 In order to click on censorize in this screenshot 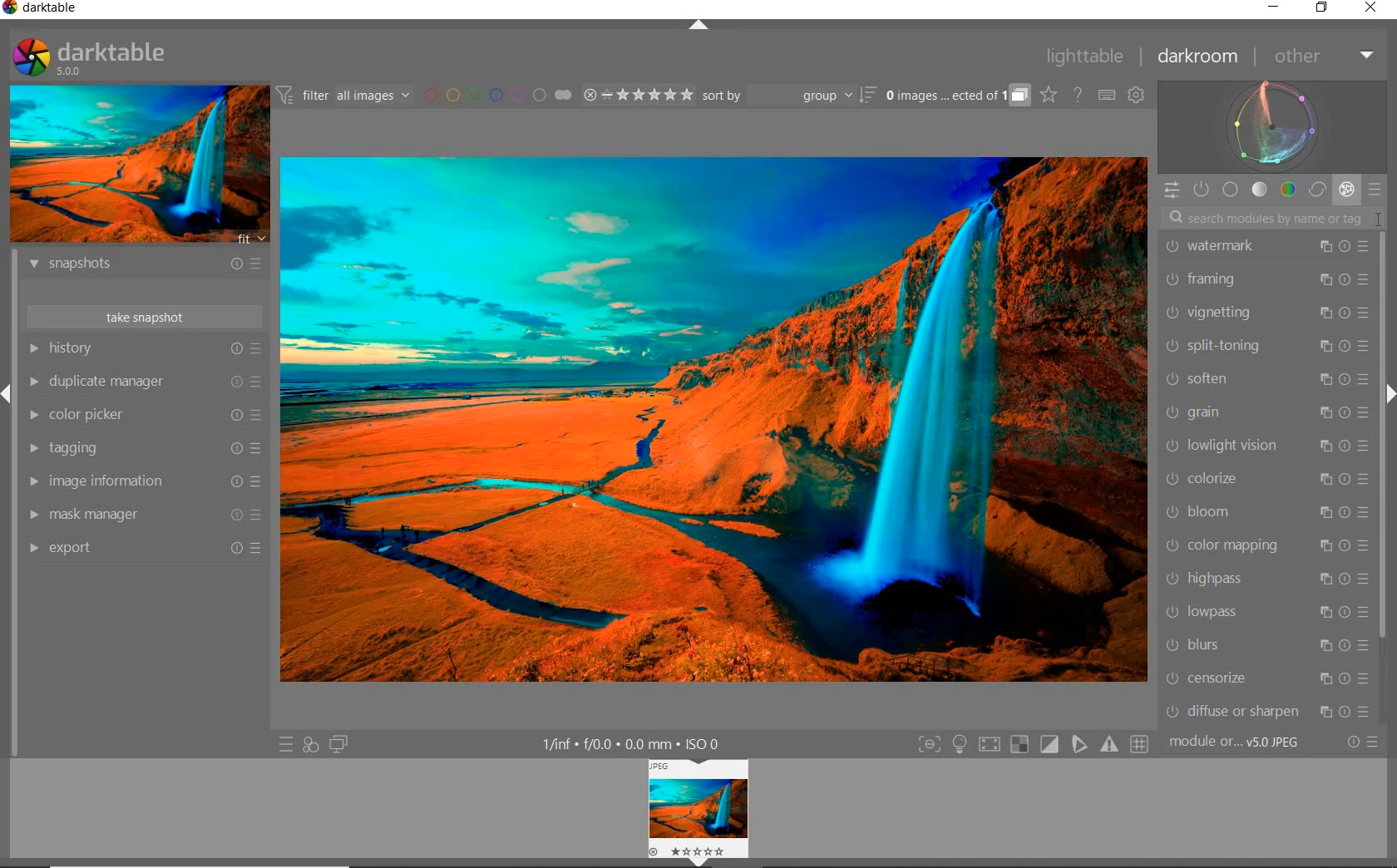, I will do `click(1267, 678)`.